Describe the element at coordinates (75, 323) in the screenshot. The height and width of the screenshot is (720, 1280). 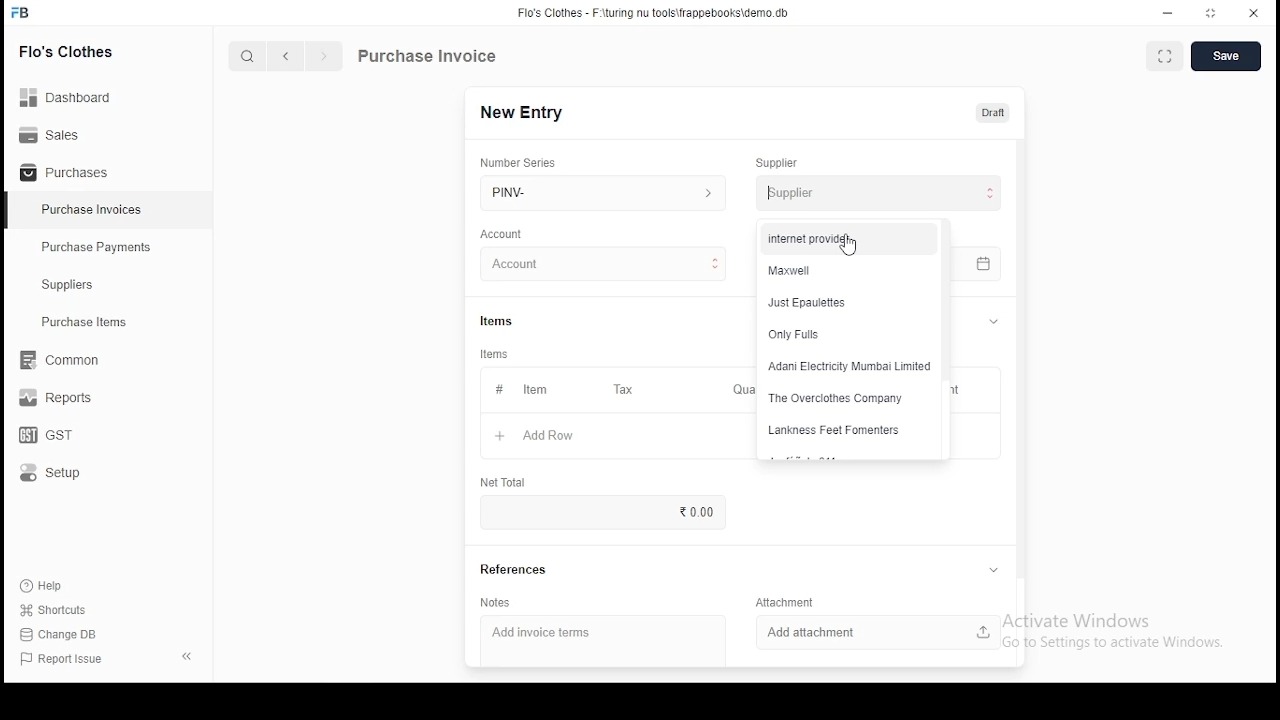
I see `Purchase ltems` at that location.